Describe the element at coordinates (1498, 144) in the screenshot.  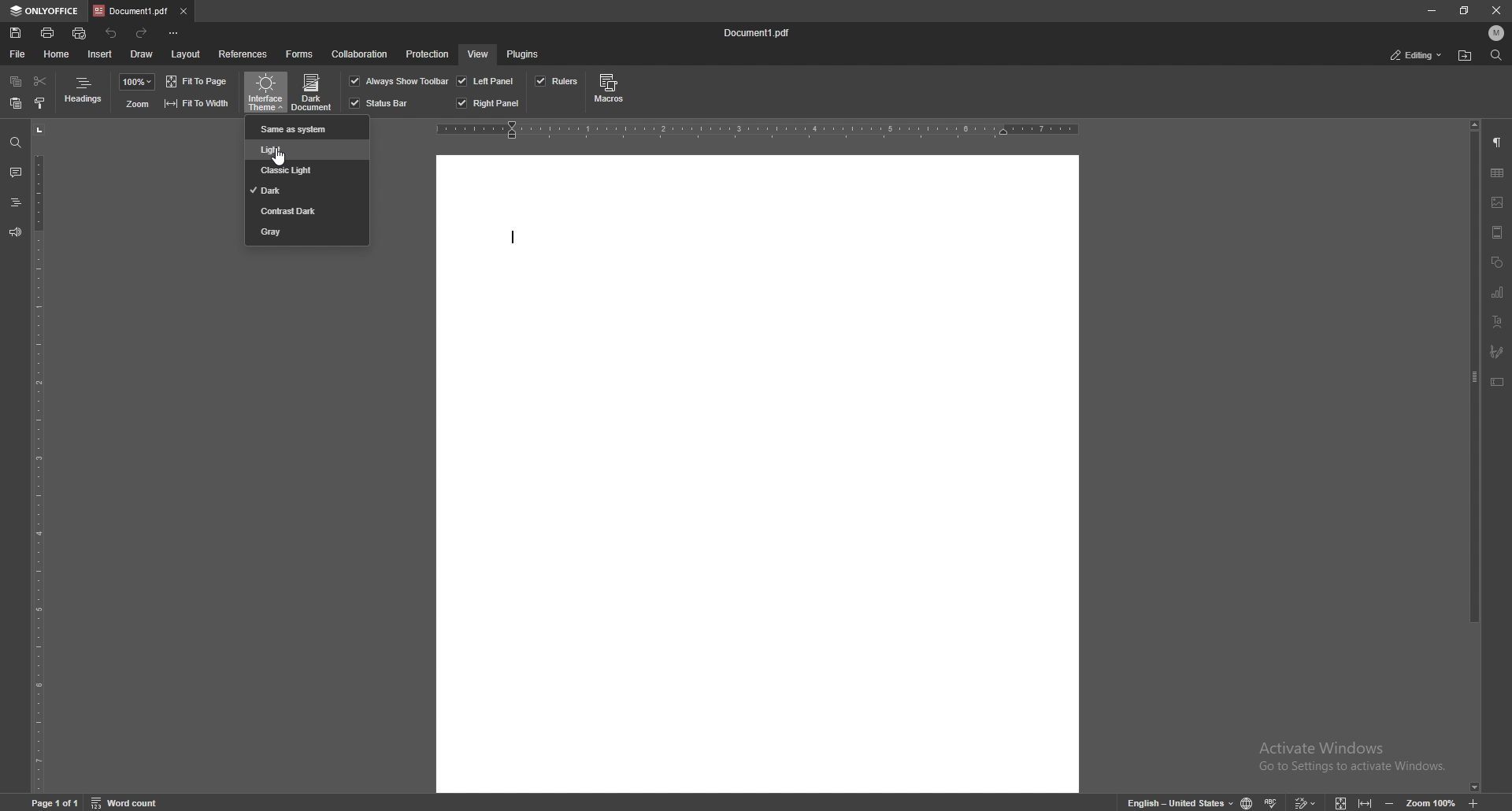
I see `paragraph` at that location.